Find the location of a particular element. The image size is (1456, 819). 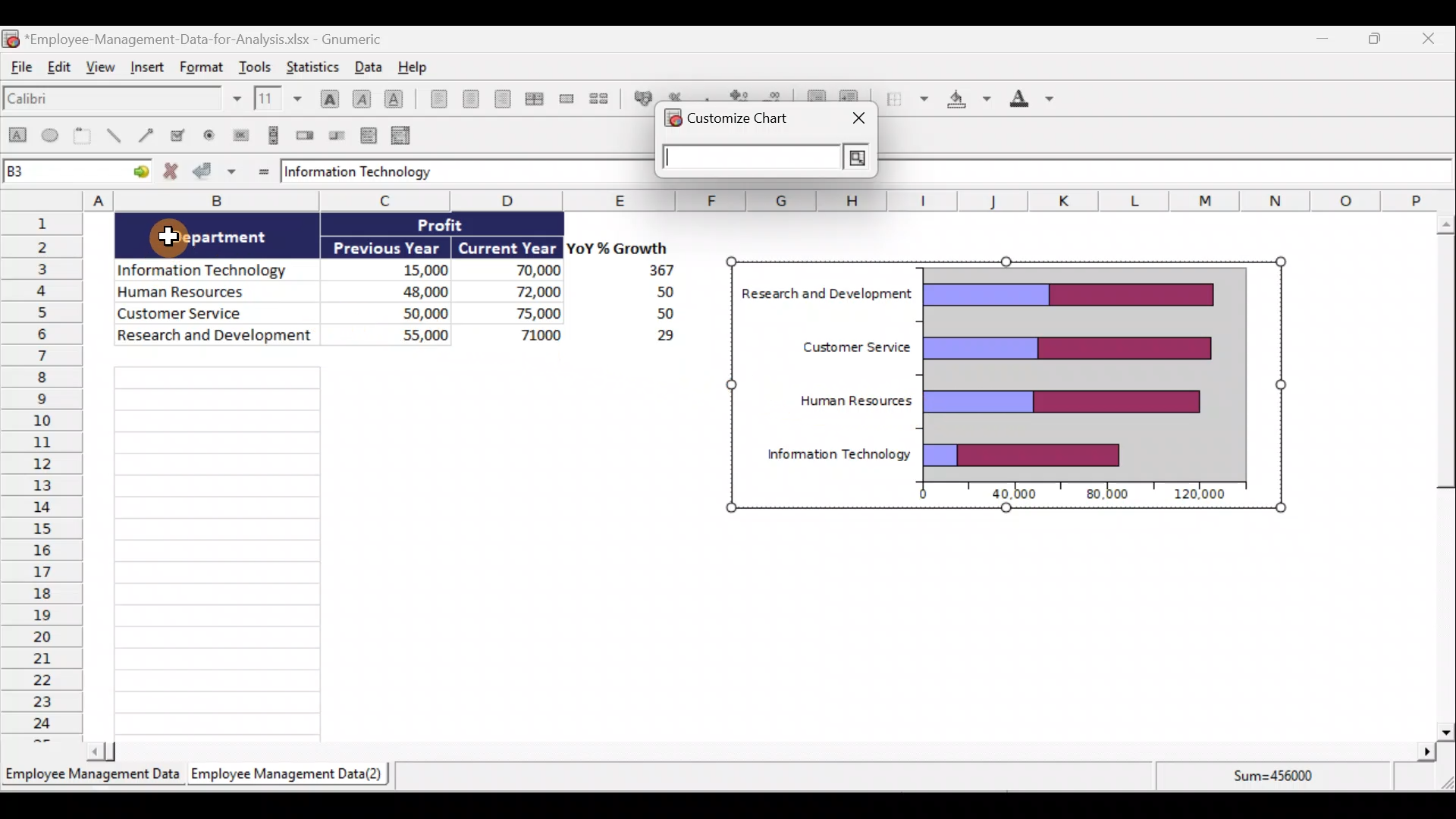

Increase indent and align contents to the right is located at coordinates (854, 96).